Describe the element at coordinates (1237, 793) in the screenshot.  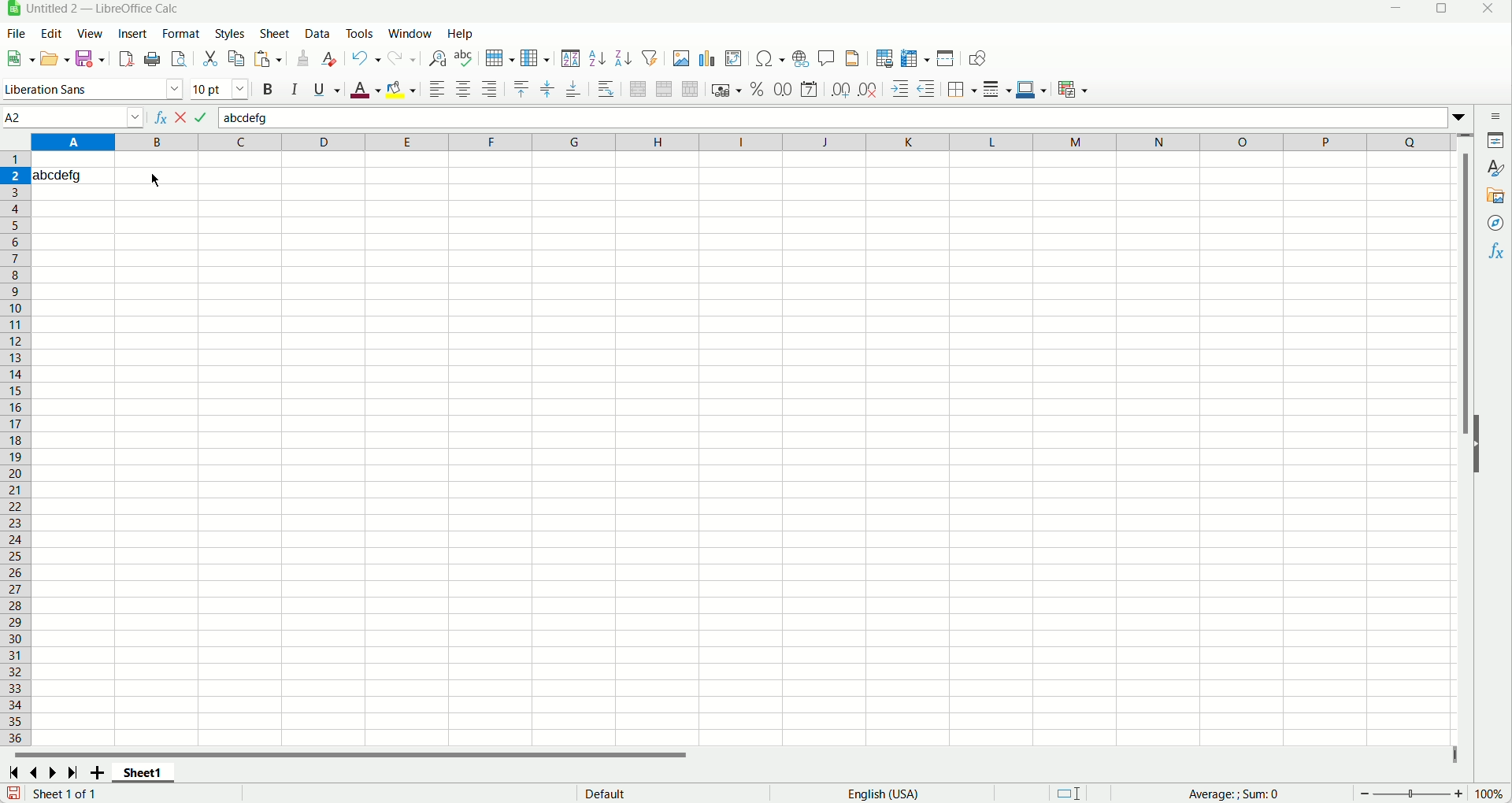
I see `average:; sum:0` at that location.